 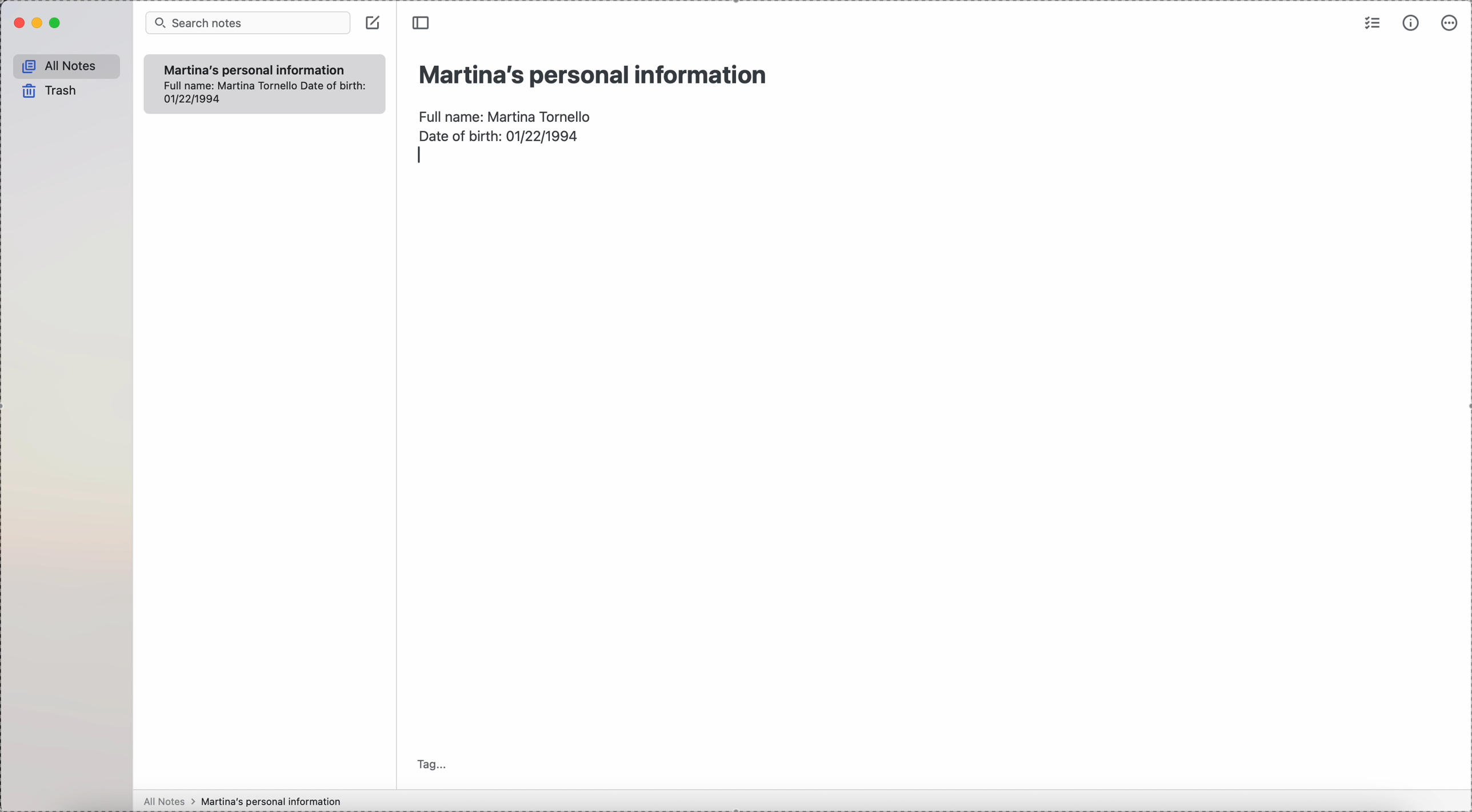 What do you see at coordinates (374, 23) in the screenshot?
I see `create note` at bounding box center [374, 23].